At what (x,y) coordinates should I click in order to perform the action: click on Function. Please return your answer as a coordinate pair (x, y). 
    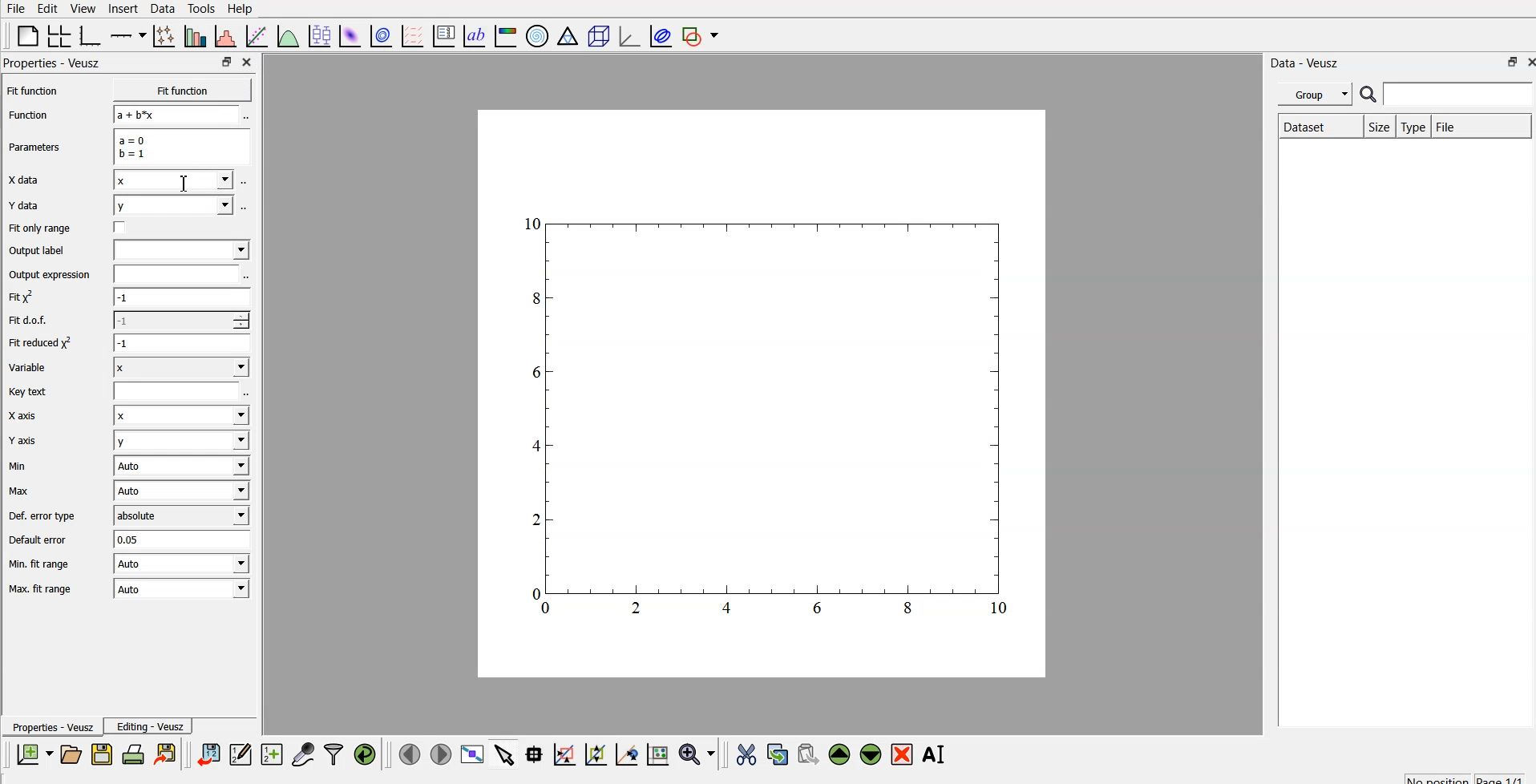
    Looking at the image, I should click on (44, 116).